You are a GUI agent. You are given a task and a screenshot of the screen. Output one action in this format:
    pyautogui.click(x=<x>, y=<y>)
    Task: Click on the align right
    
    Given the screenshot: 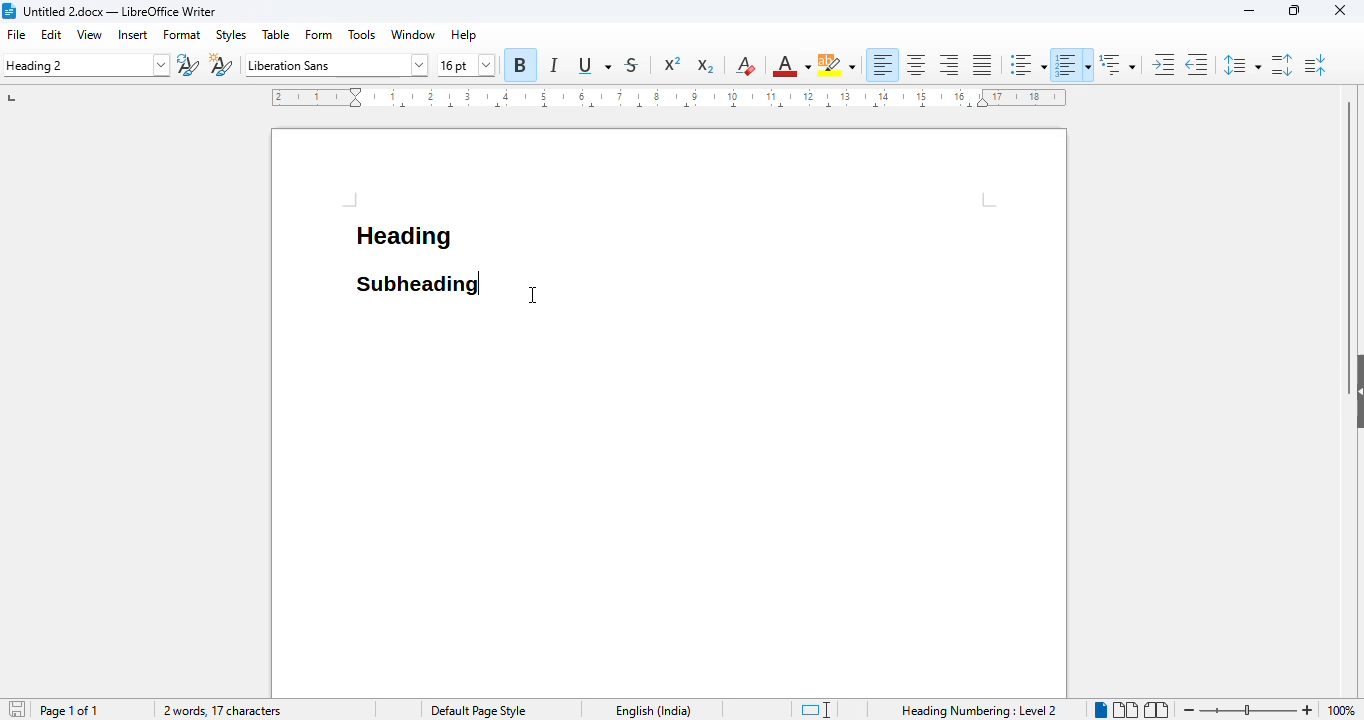 What is the action you would take?
    pyautogui.click(x=948, y=65)
    